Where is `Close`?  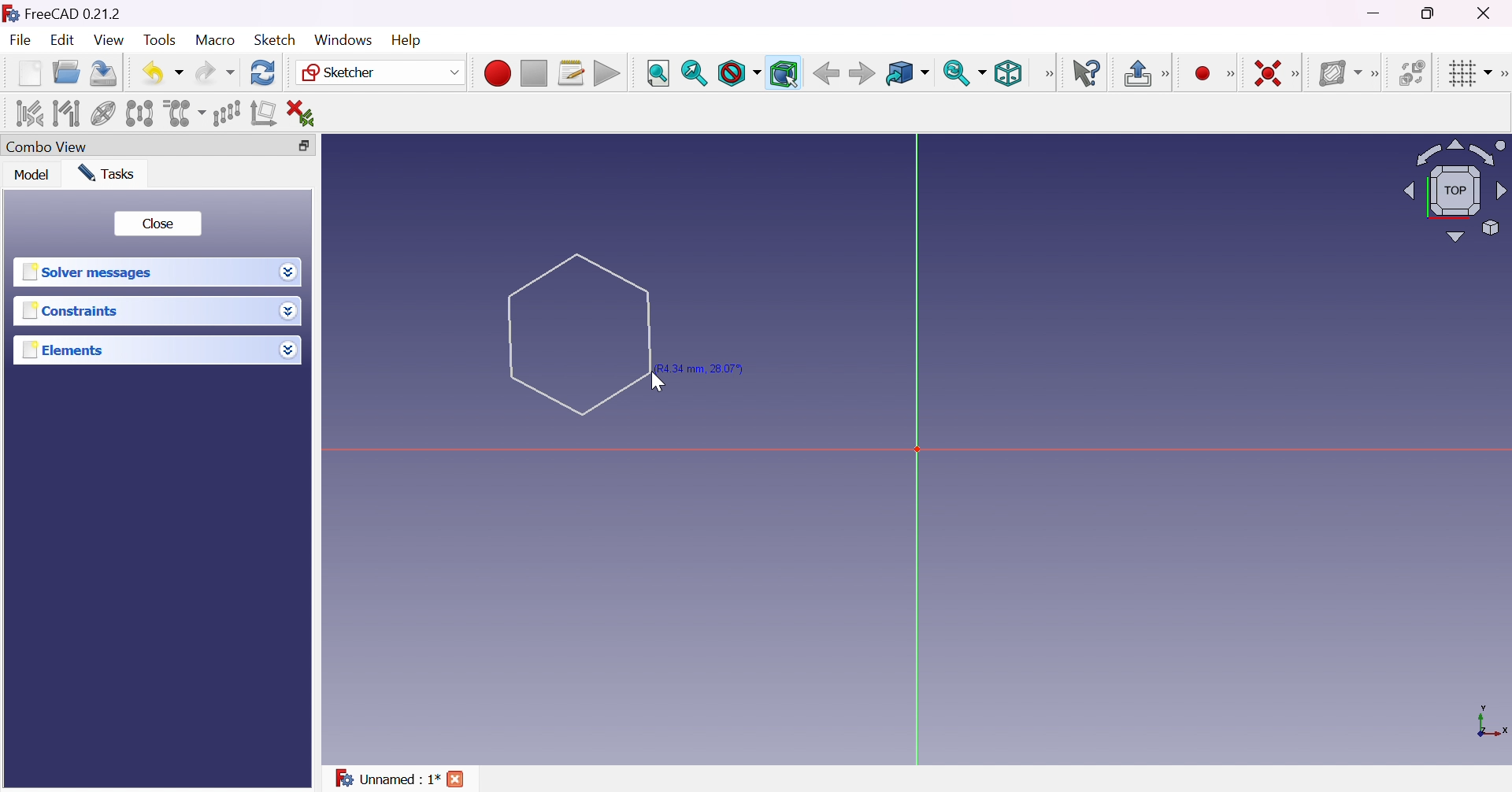
Close is located at coordinates (1488, 12).